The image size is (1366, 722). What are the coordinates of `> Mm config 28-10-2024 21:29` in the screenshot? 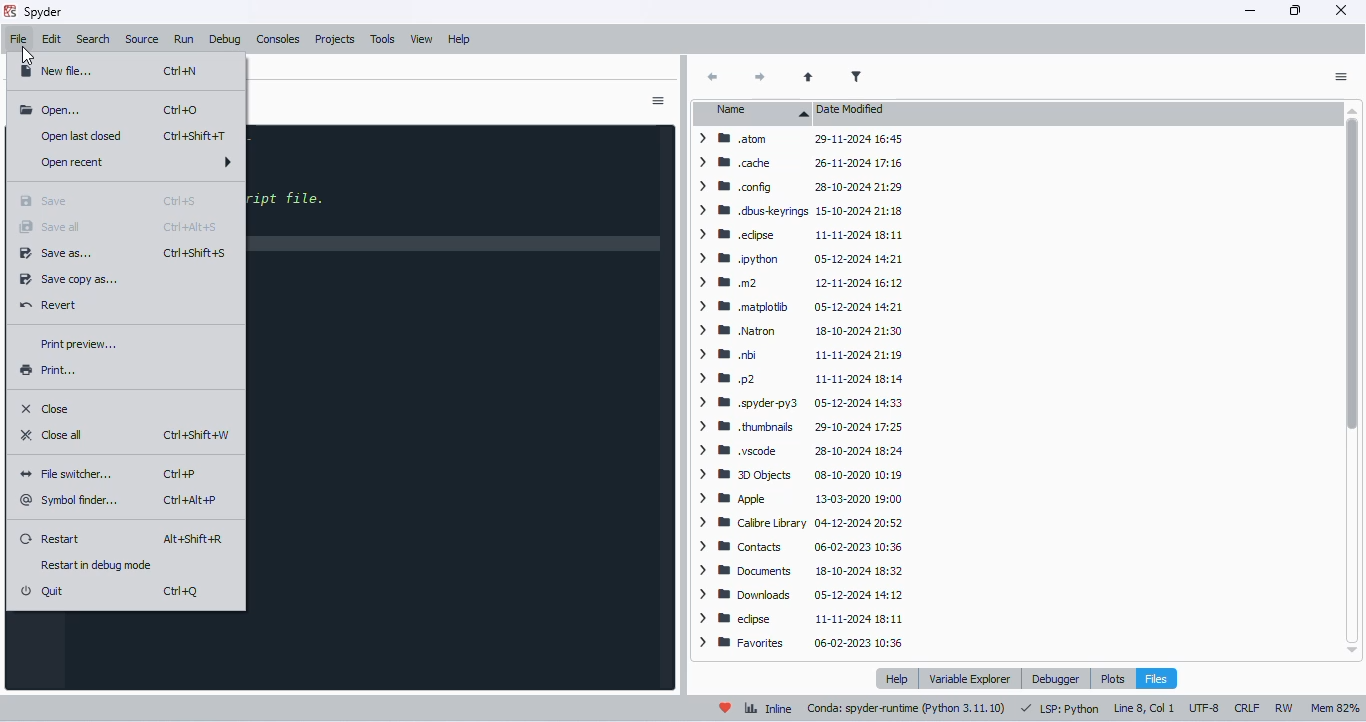 It's located at (796, 186).